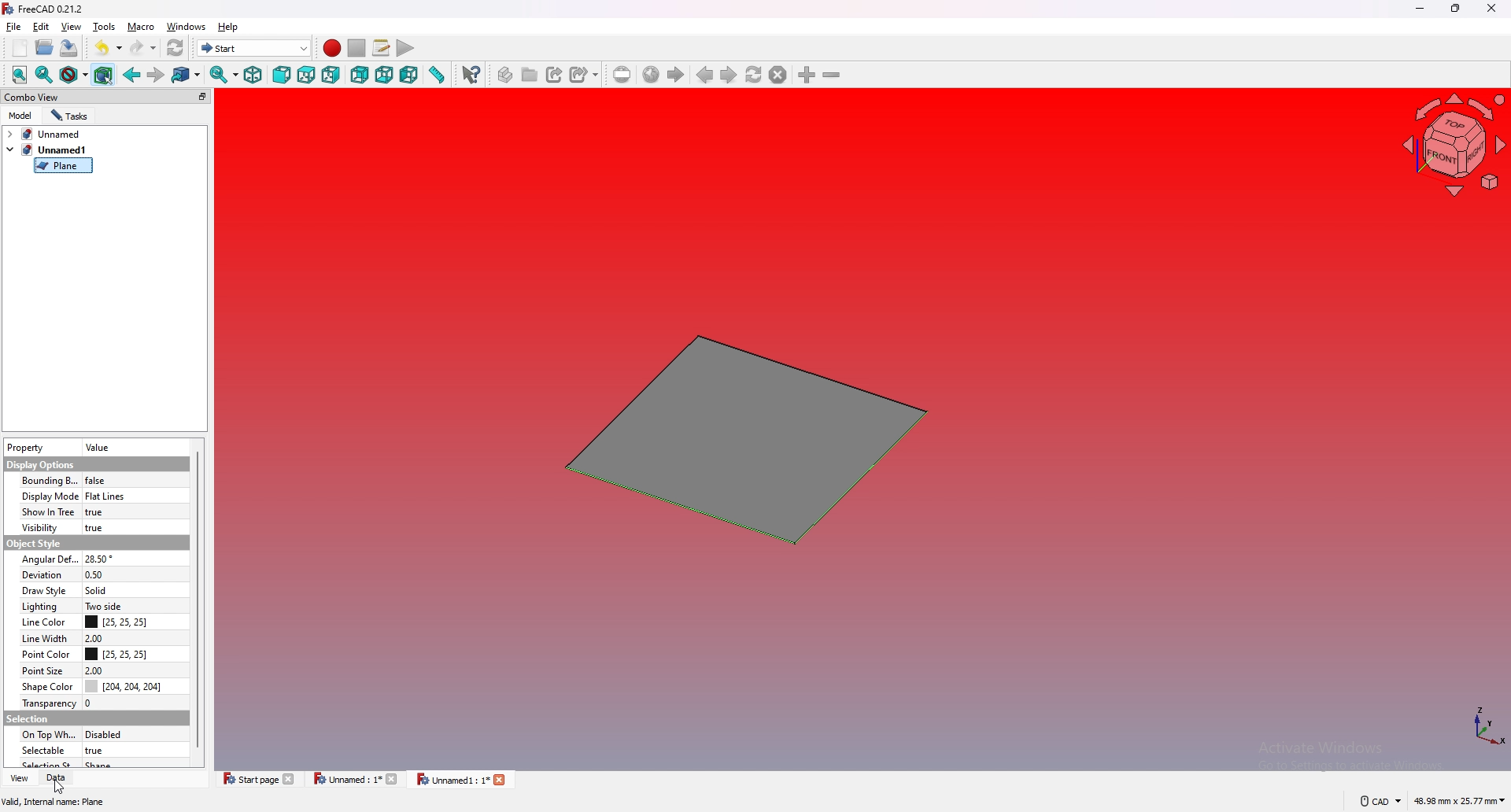 This screenshot has height=812, width=1511. I want to click on go to linked object, so click(187, 76).